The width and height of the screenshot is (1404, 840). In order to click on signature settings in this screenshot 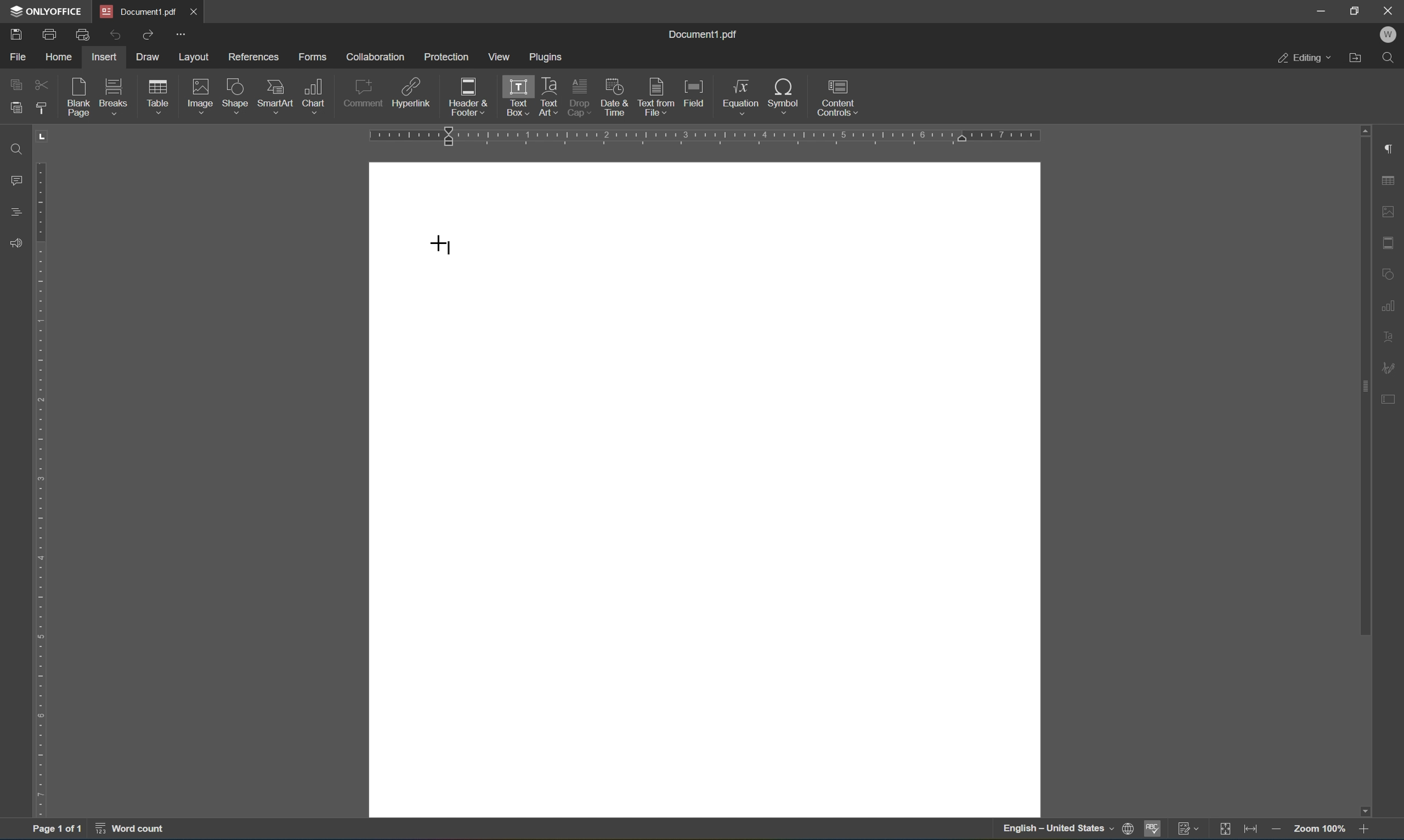, I will do `click(1387, 367)`.